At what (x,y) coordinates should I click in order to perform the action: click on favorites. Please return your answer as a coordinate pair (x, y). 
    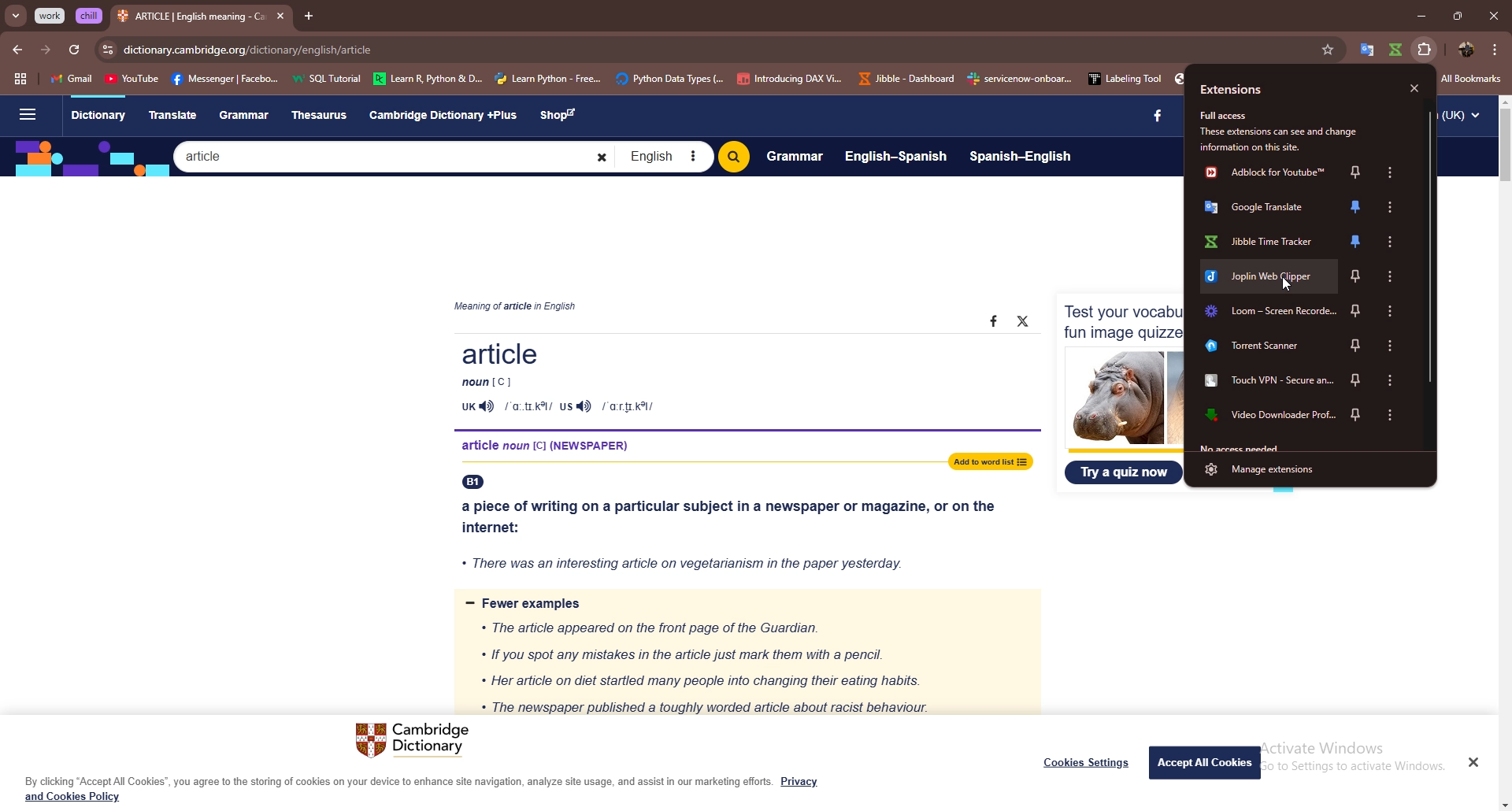
    Looking at the image, I should click on (1329, 50).